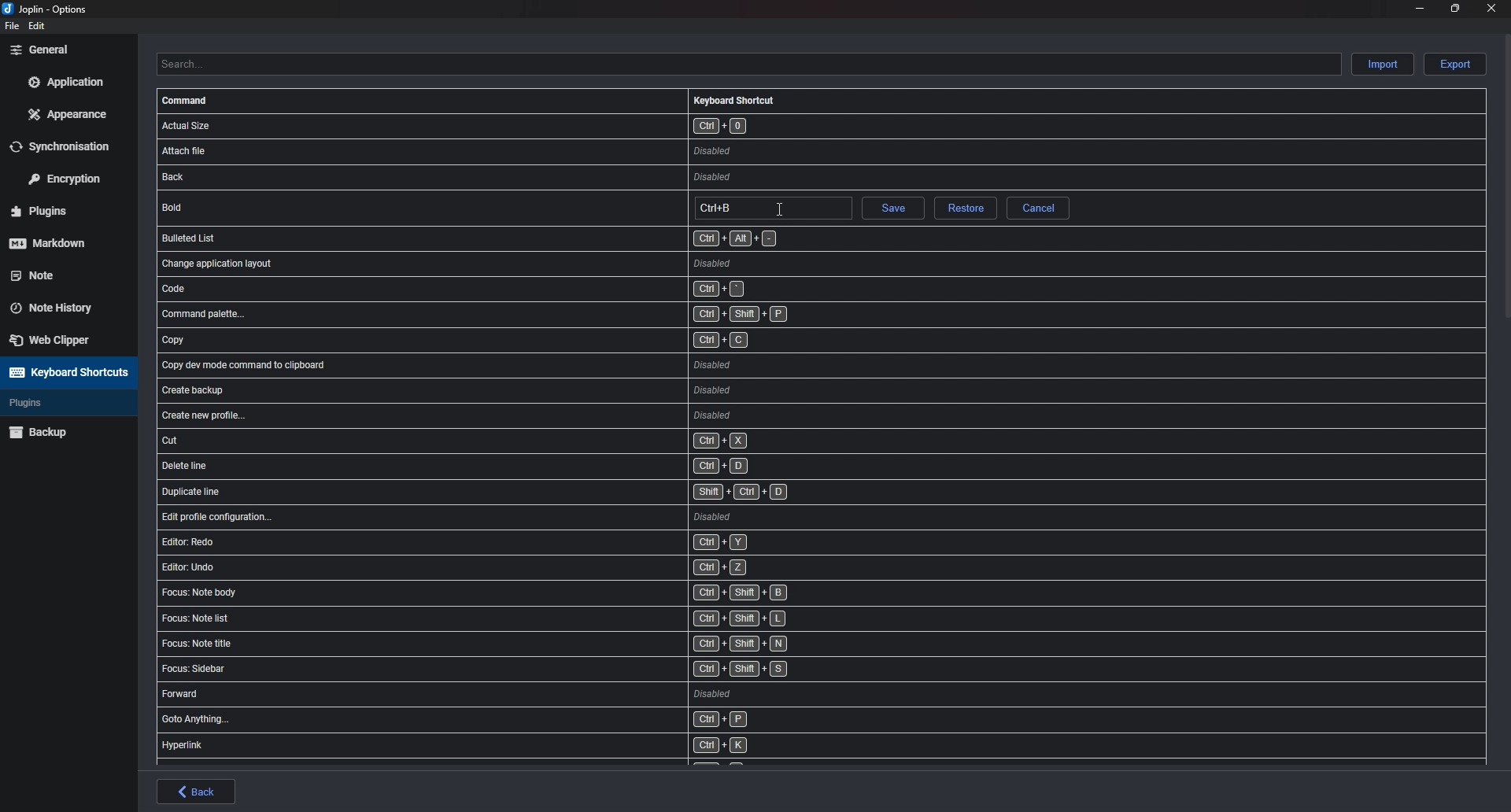 Image resolution: width=1511 pixels, height=812 pixels. Describe the element at coordinates (61, 242) in the screenshot. I see `mark down` at that location.